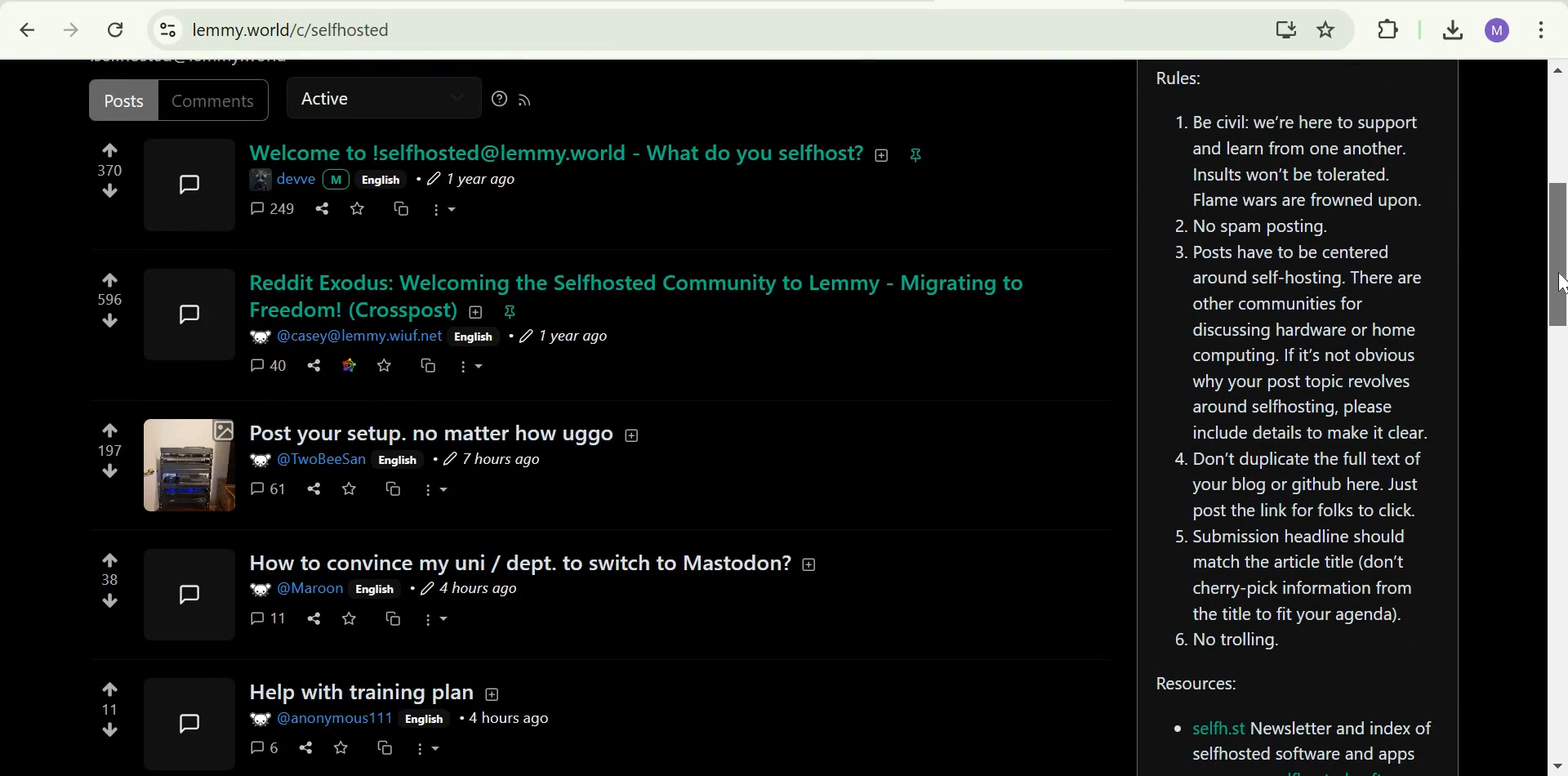 The width and height of the screenshot is (1568, 776). What do you see at coordinates (109, 171) in the screenshot?
I see `numbers` at bounding box center [109, 171].